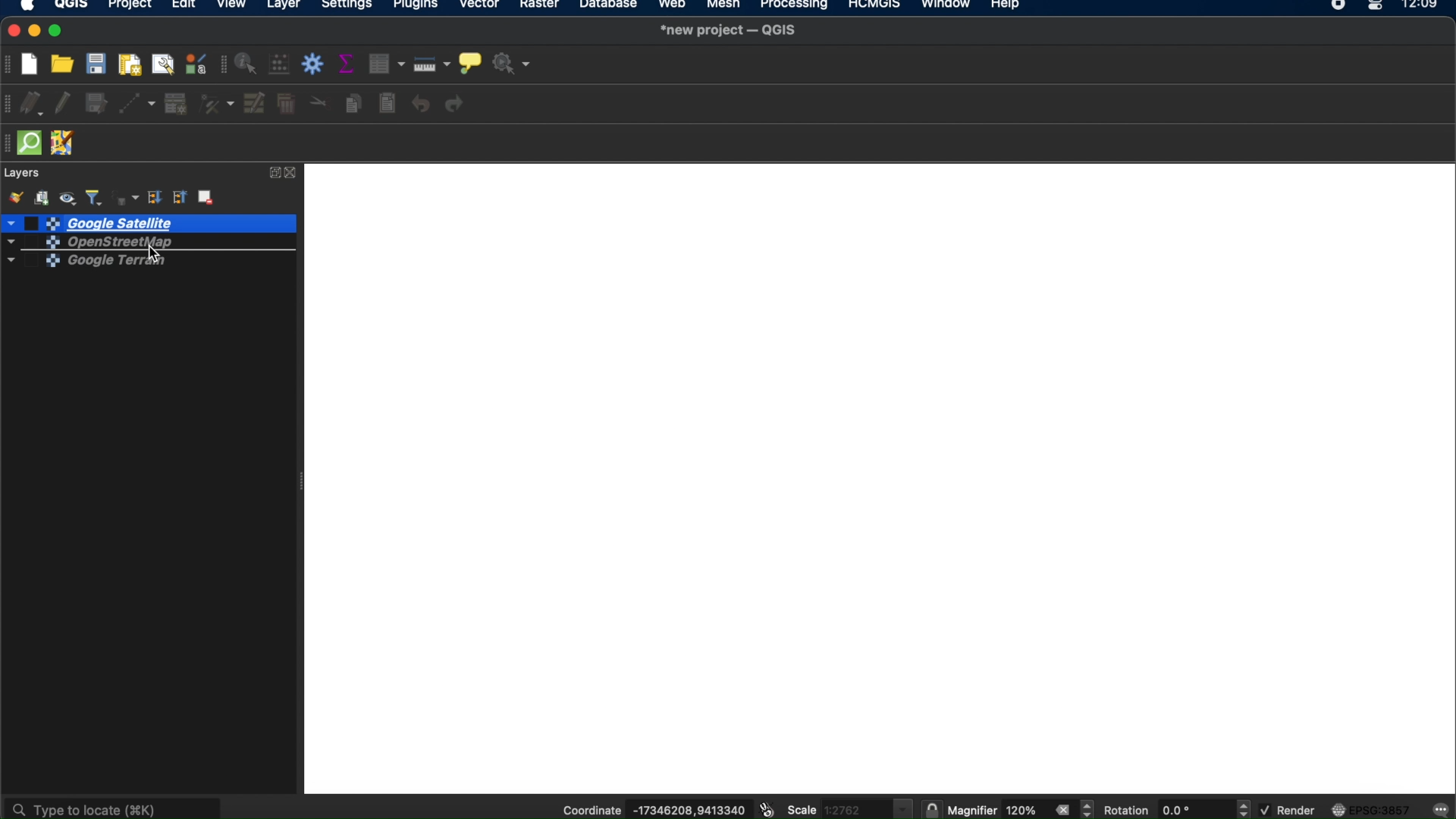 Image resolution: width=1456 pixels, height=819 pixels. Describe the element at coordinates (64, 144) in the screenshot. I see `JOSM remote` at that location.